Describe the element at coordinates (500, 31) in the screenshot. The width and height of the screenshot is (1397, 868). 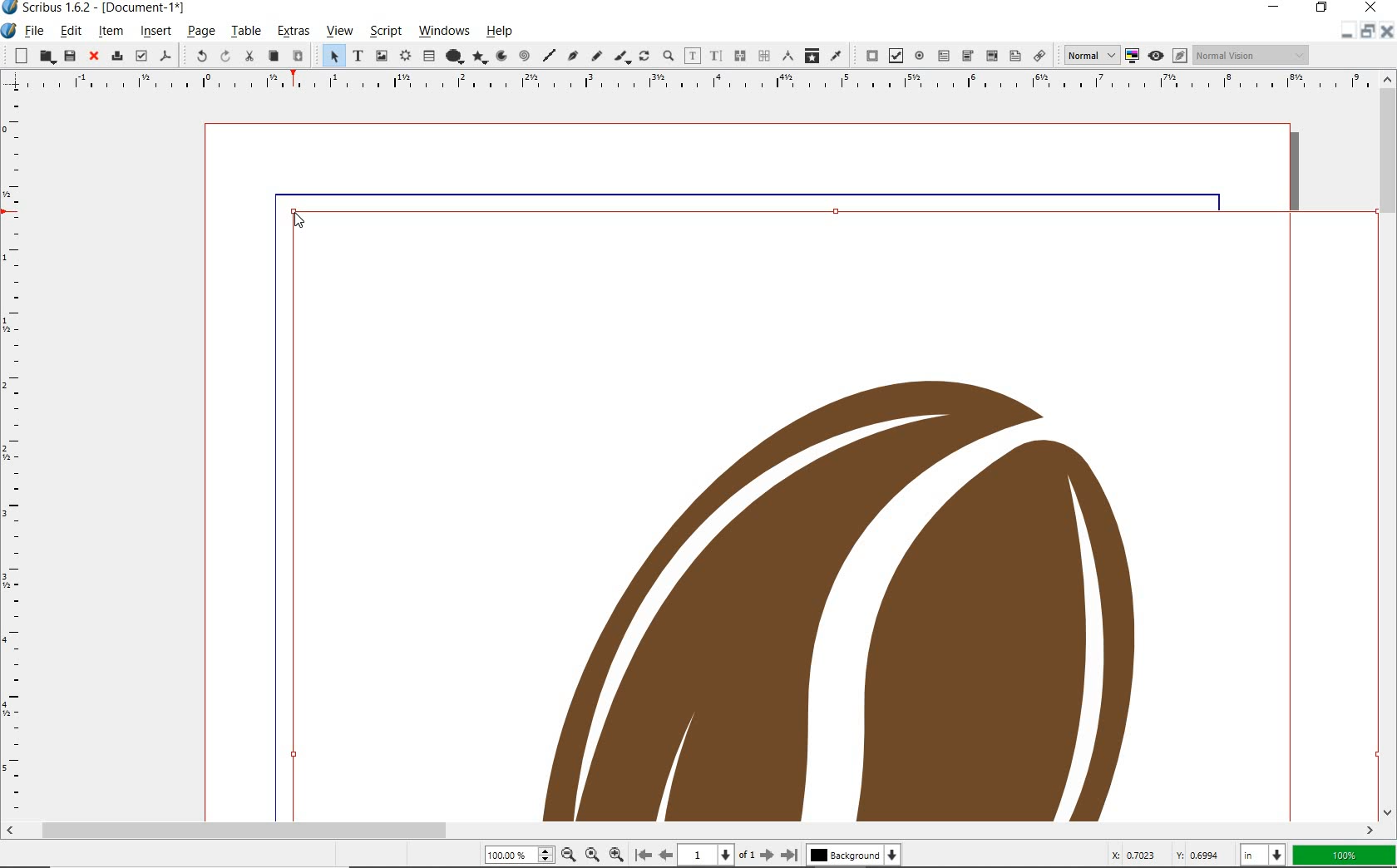
I see `help` at that location.